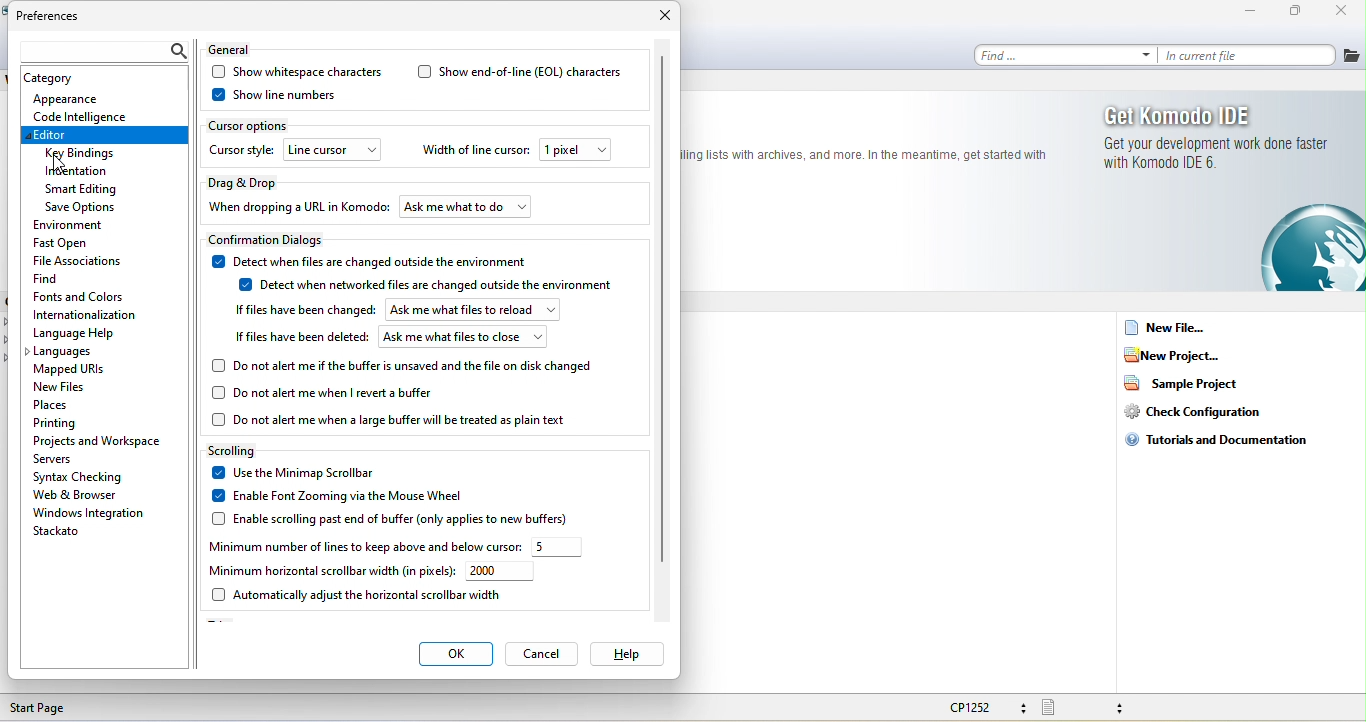  Describe the element at coordinates (297, 72) in the screenshot. I see `show whitespace characters` at that location.